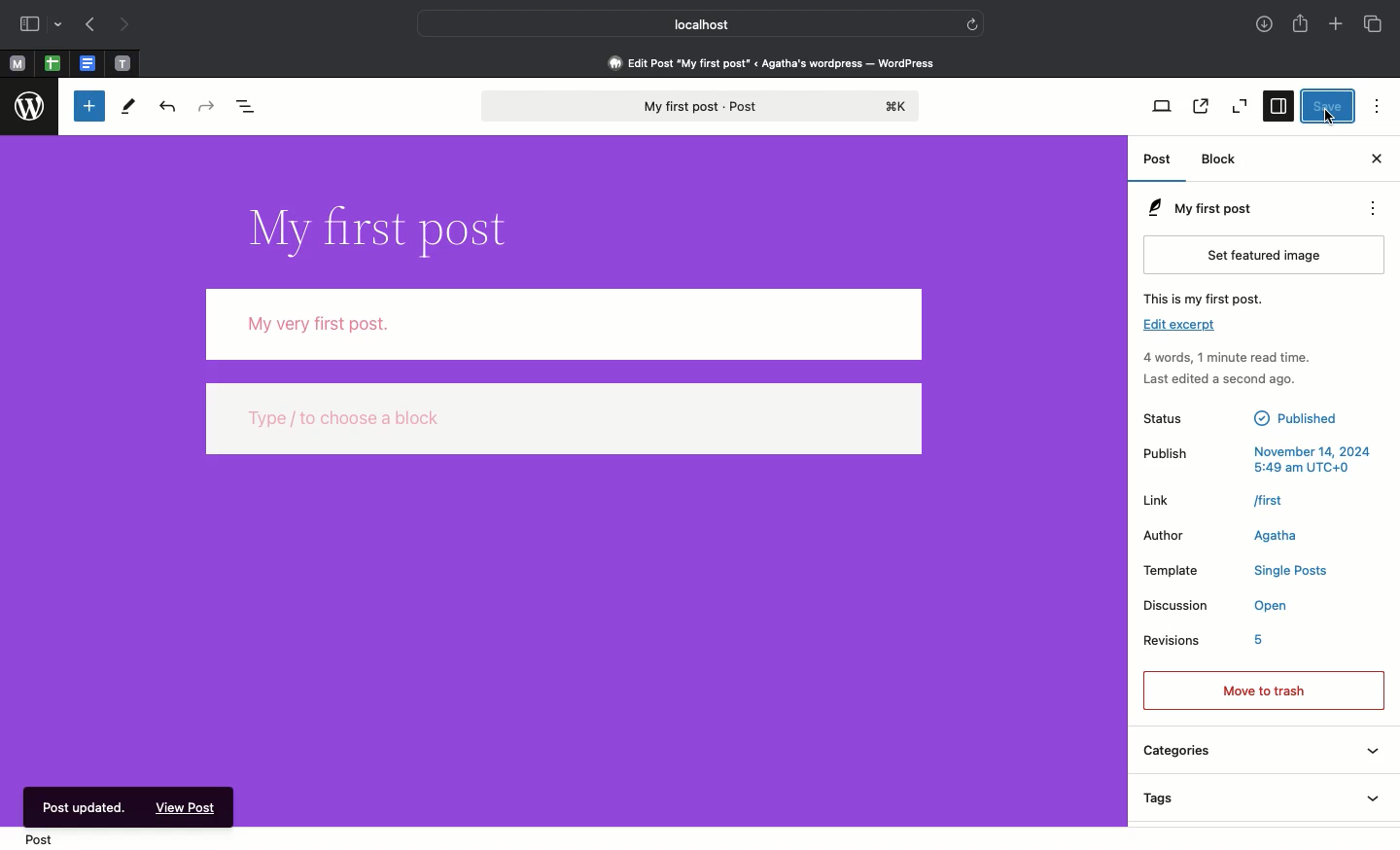  Describe the element at coordinates (1180, 328) in the screenshot. I see `edit excerpt` at that location.